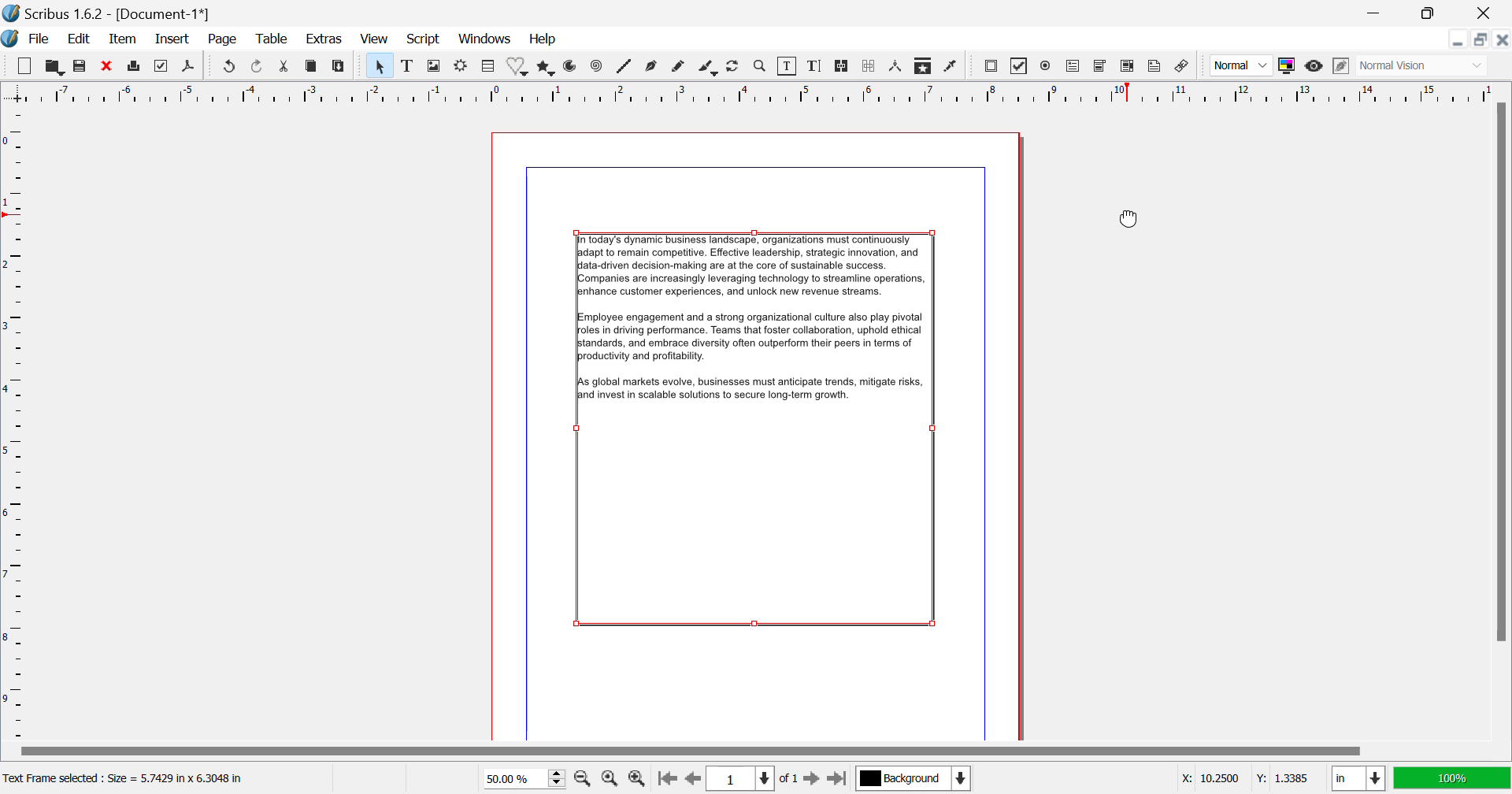 The width and height of the screenshot is (1512, 794). I want to click on First Page, so click(666, 779).